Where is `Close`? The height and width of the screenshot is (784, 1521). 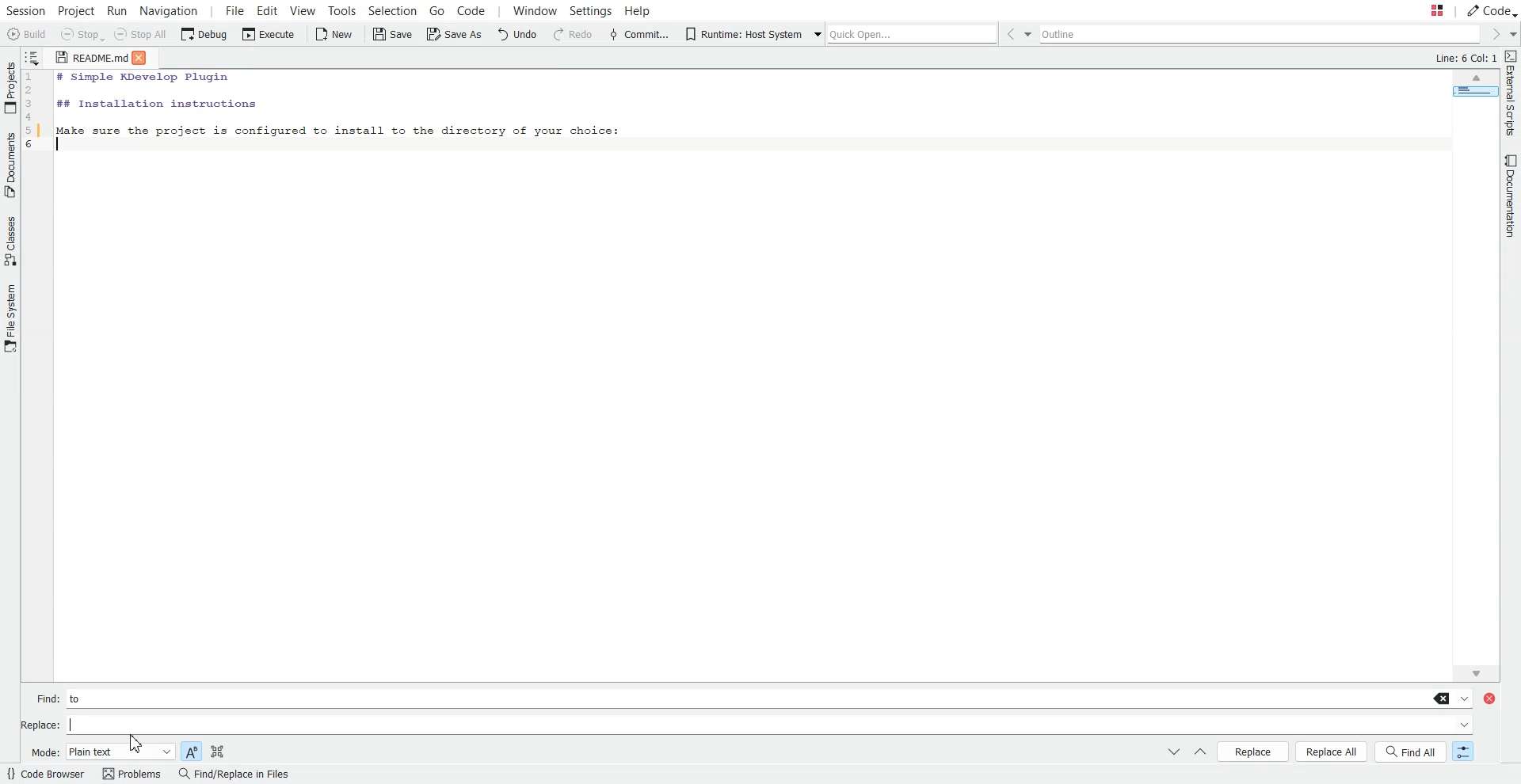 Close is located at coordinates (145, 57).